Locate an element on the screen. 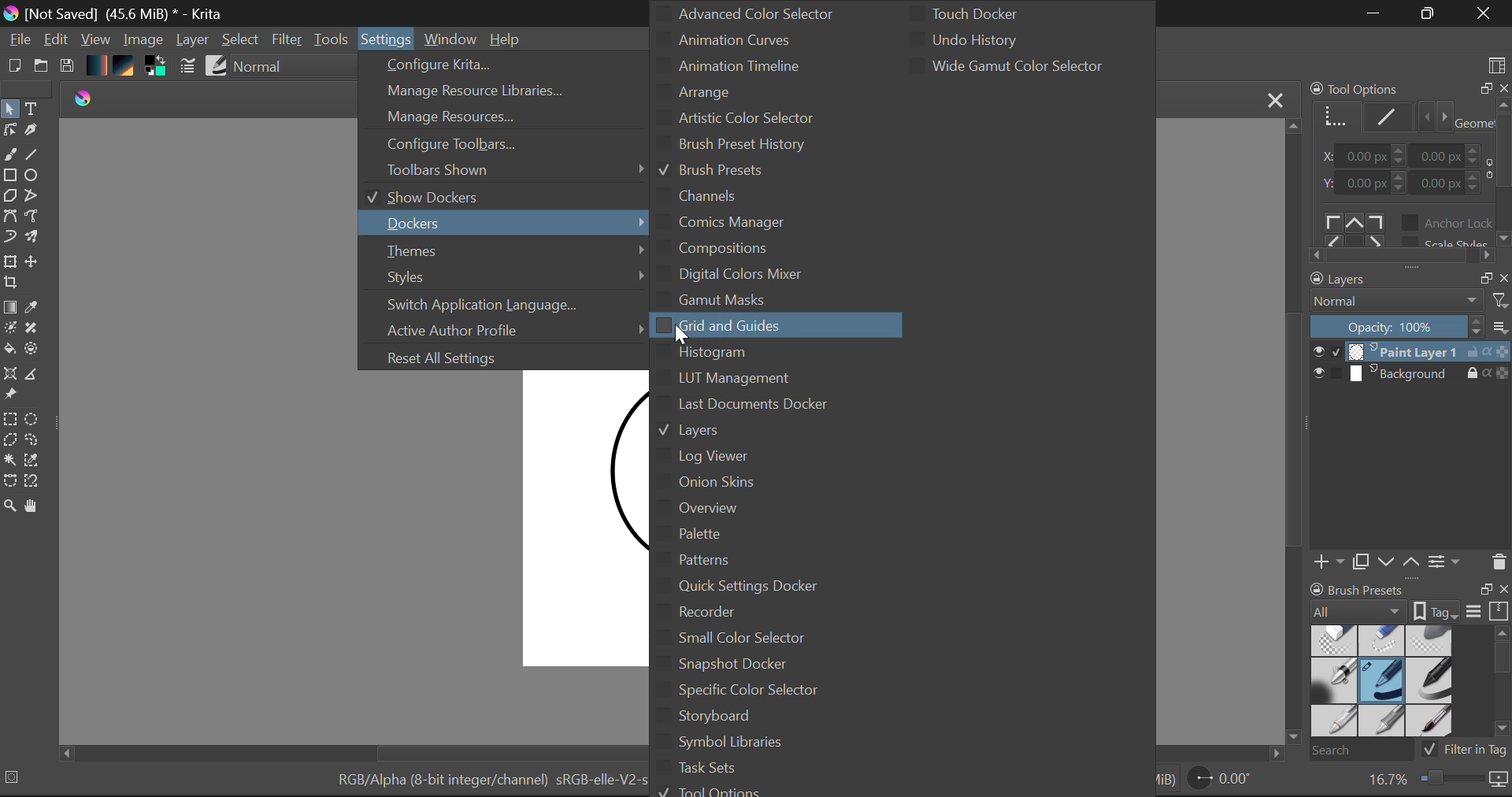 This screenshot has height=797, width=1512. Elipses is located at coordinates (35, 175).